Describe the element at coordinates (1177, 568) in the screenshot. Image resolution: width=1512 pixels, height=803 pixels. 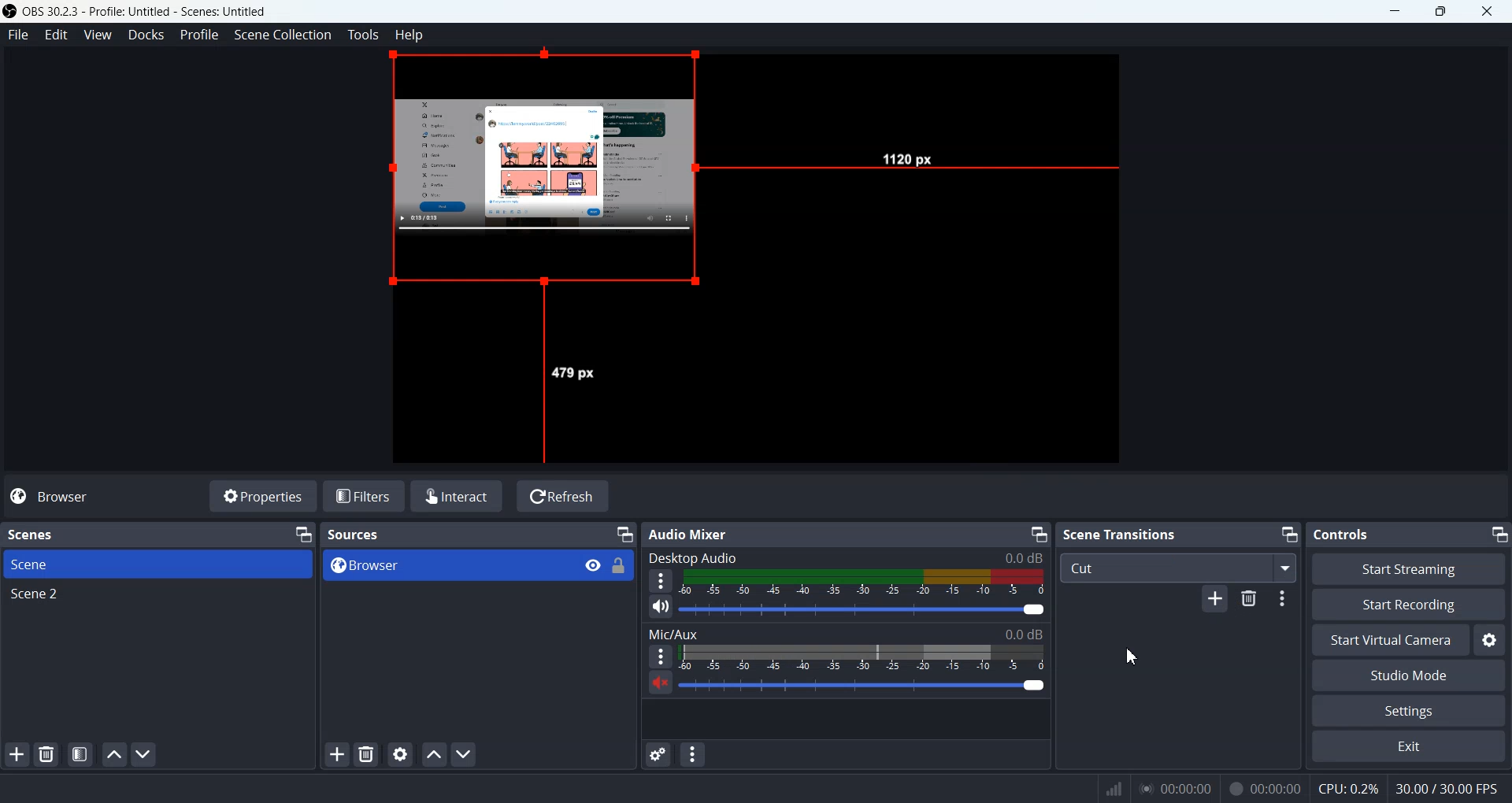
I see `Cut` at that location.